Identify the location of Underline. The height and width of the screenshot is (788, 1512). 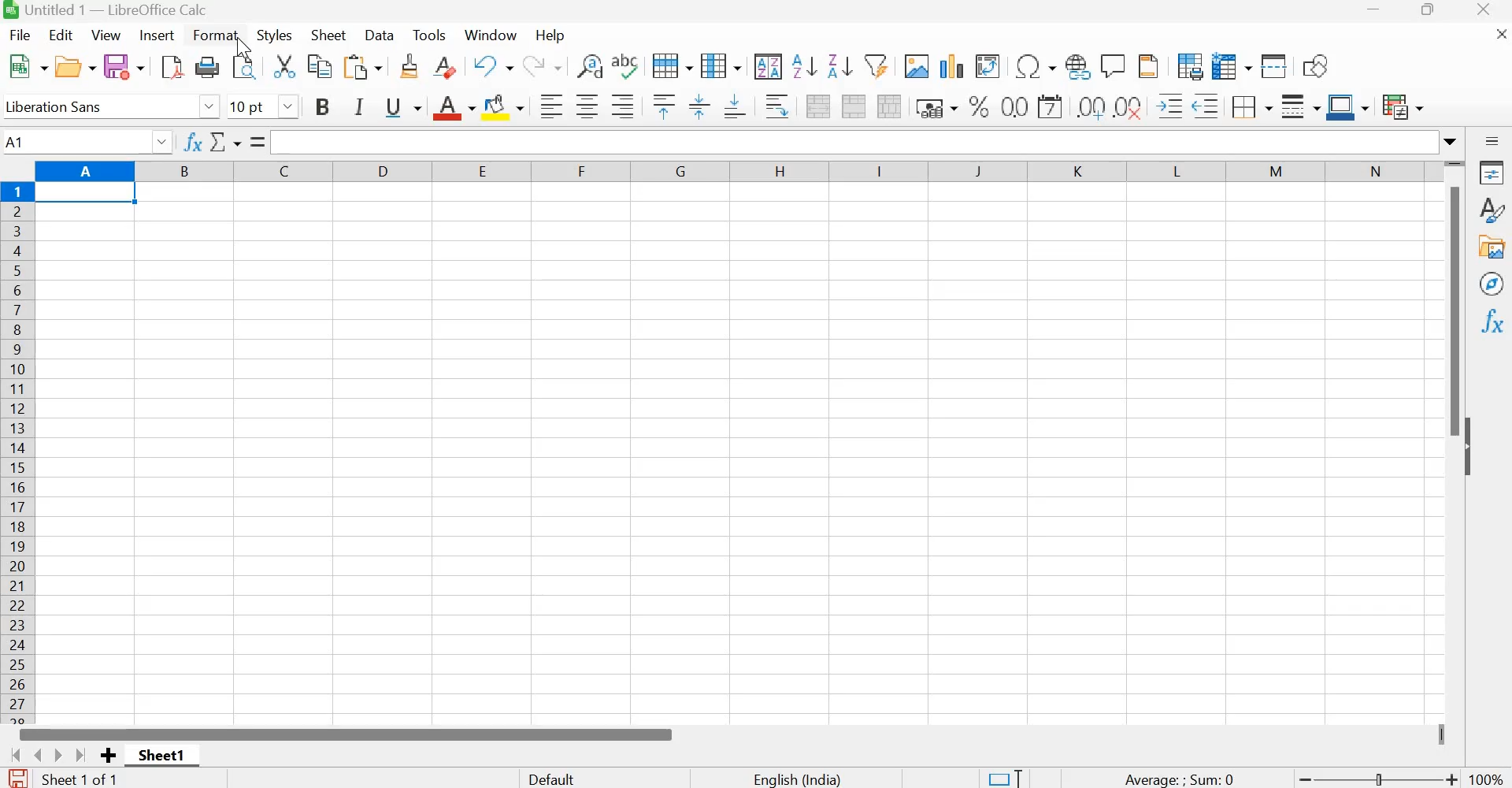
(402, 106).